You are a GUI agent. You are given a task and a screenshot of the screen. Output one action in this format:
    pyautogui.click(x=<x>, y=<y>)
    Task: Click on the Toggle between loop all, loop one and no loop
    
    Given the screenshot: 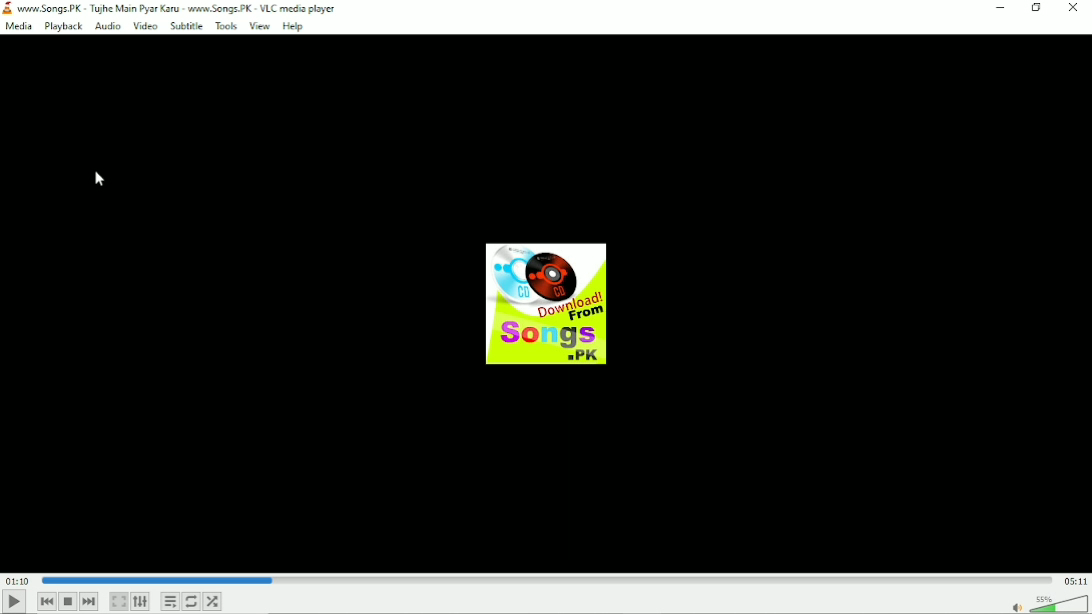 What is the action you would take?
    pyautogui.click(x=192, y=602)
    